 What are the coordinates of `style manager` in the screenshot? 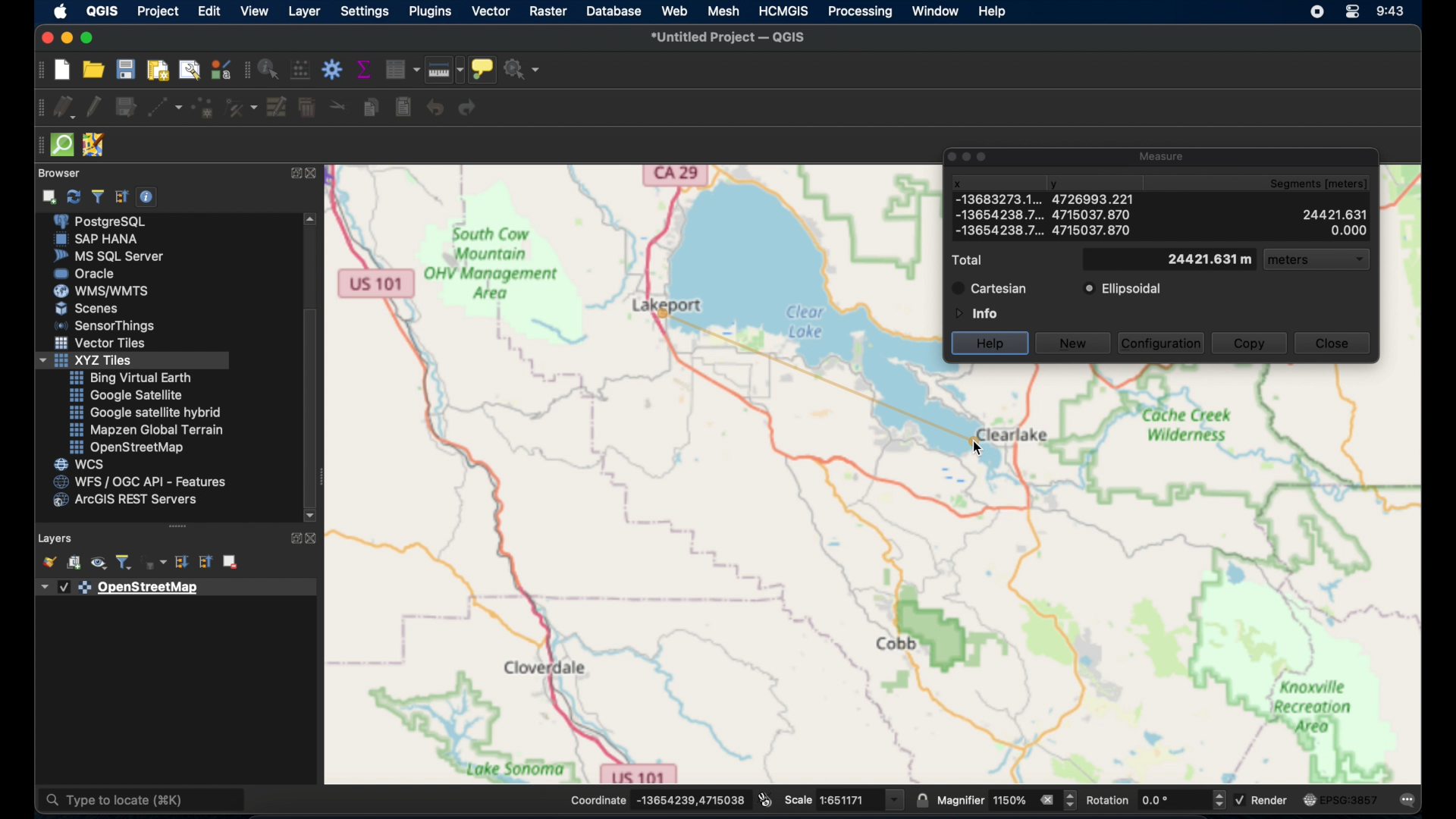 It's located at (242, 108).